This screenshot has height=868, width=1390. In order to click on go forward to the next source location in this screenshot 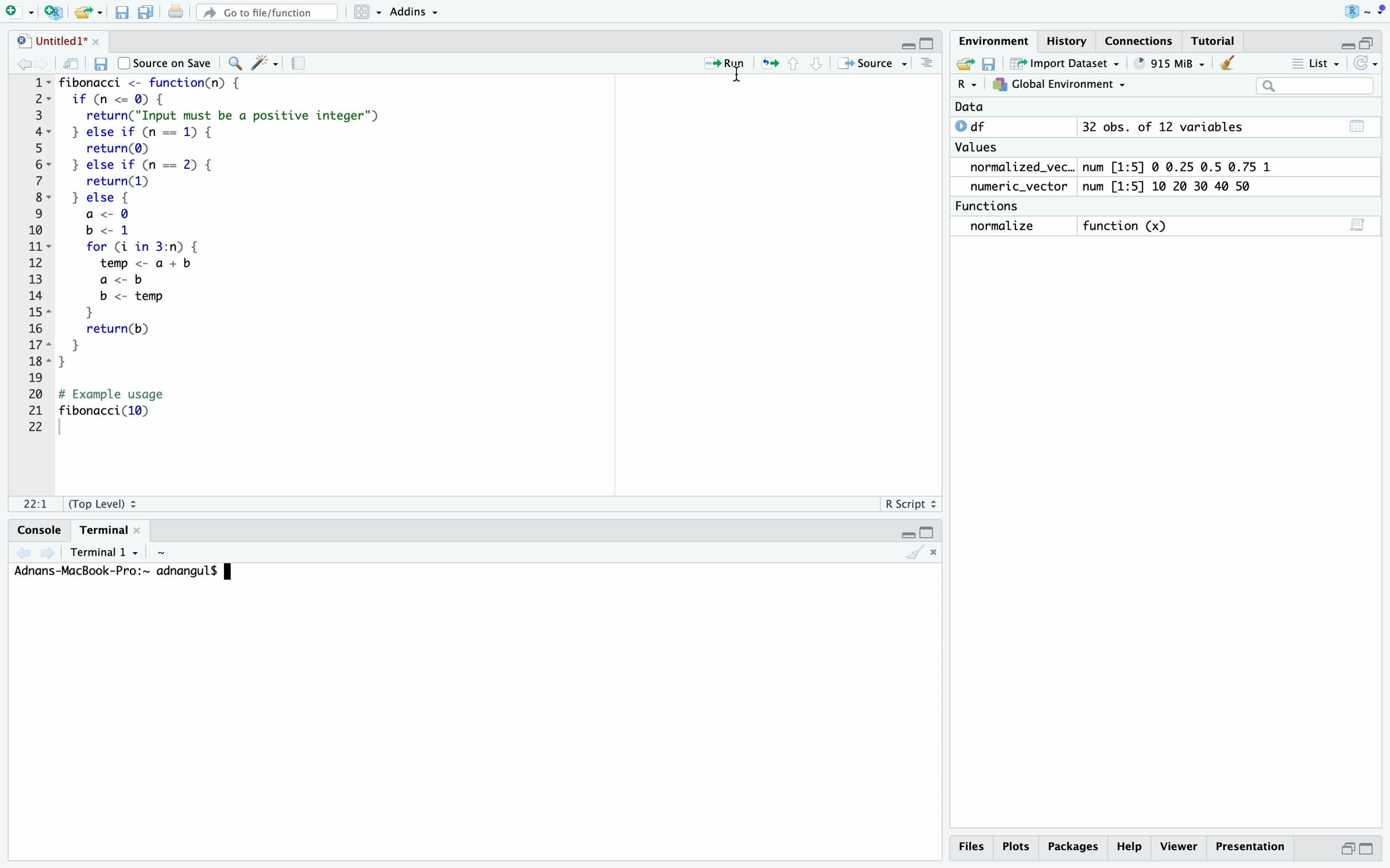, I will do `click(43, 64)`.